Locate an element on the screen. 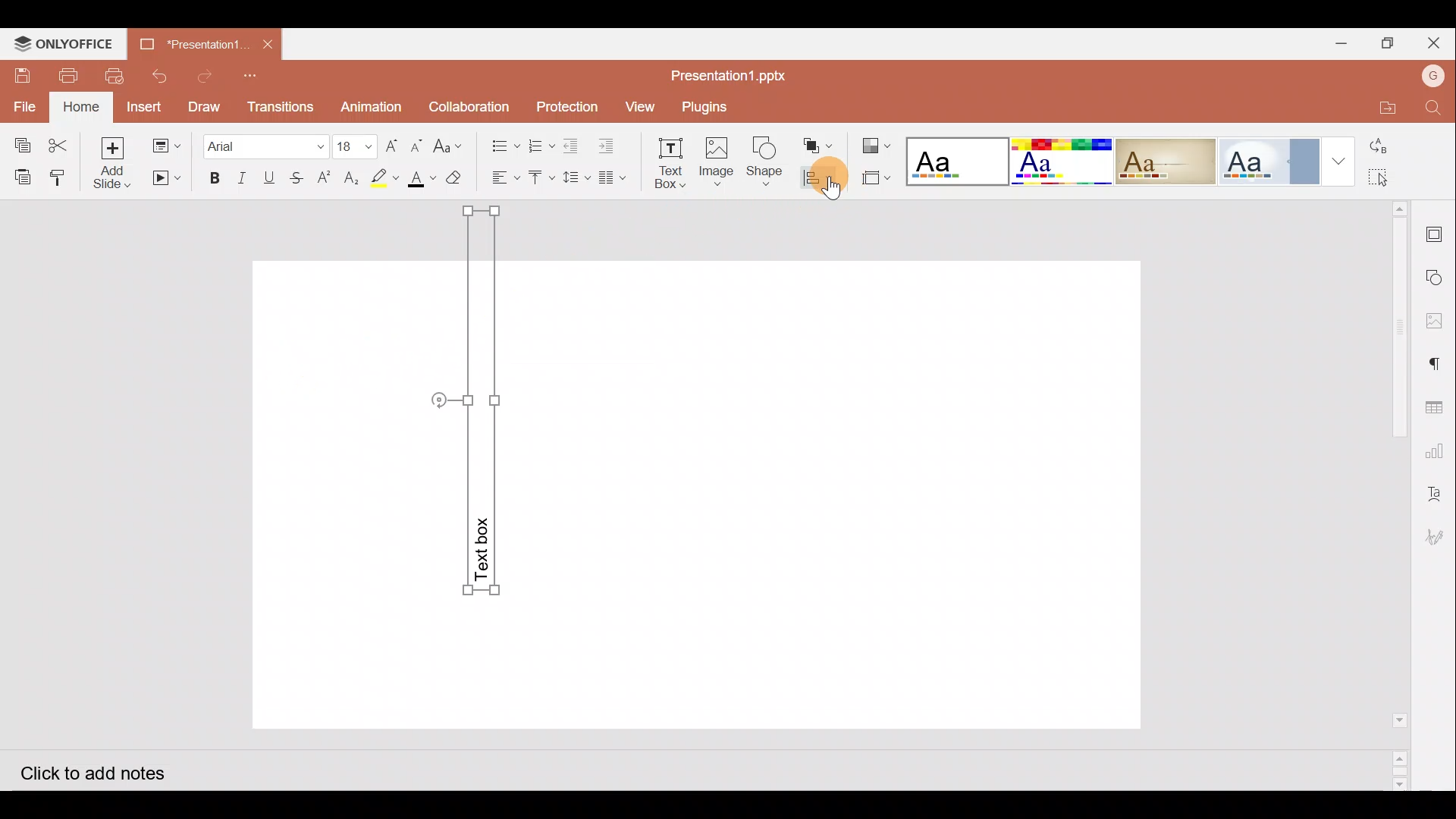 This screenshot has width=1456, height=819. Paste is located at coordinates (20, 175).